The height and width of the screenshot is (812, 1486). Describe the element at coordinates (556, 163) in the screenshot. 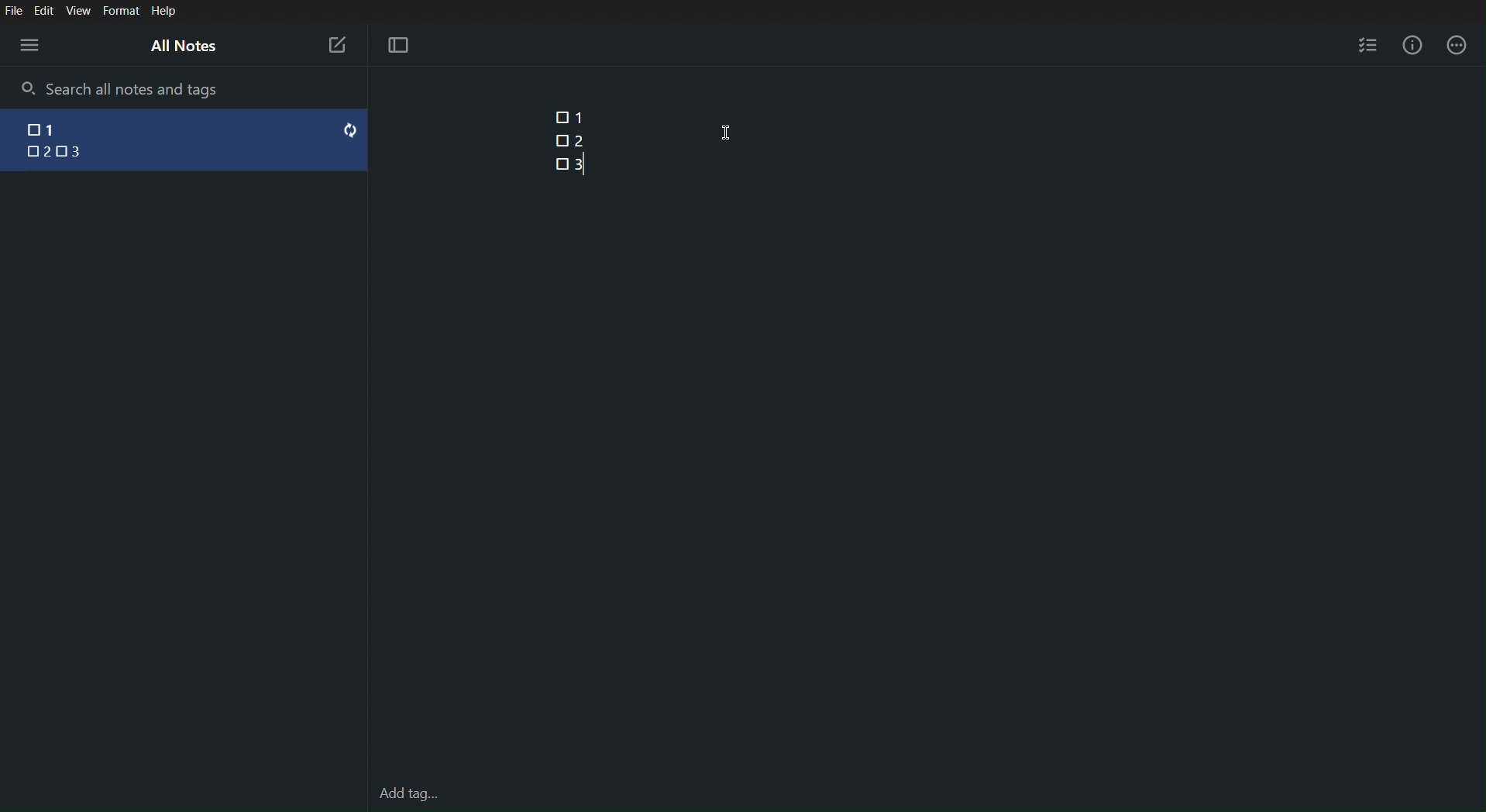

I see `Checkpoint` at that location.